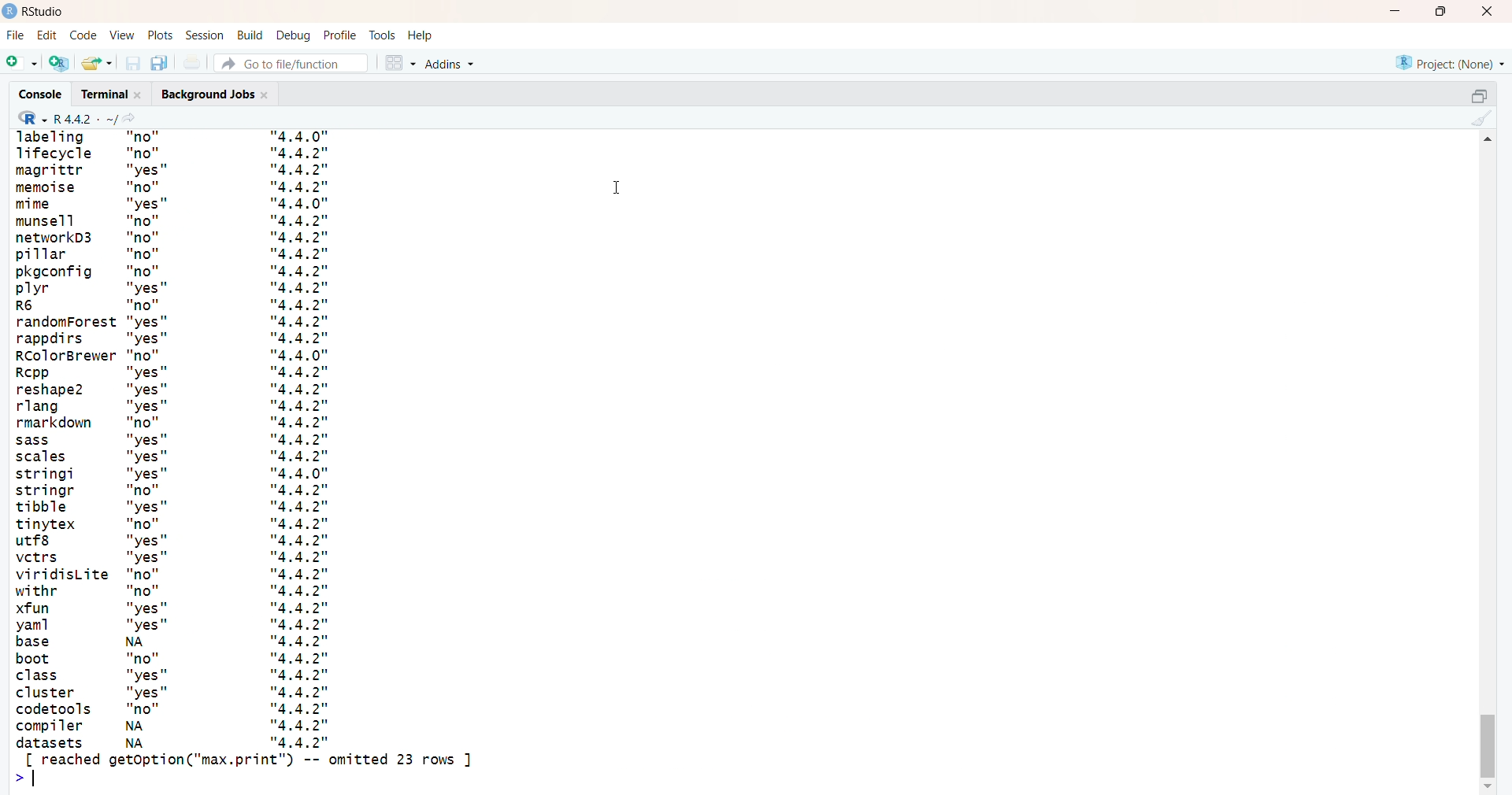  What do you see at coordinates (1480, 120) in the screenshot?
I see `clear console` at bounding box center [1480, 120].